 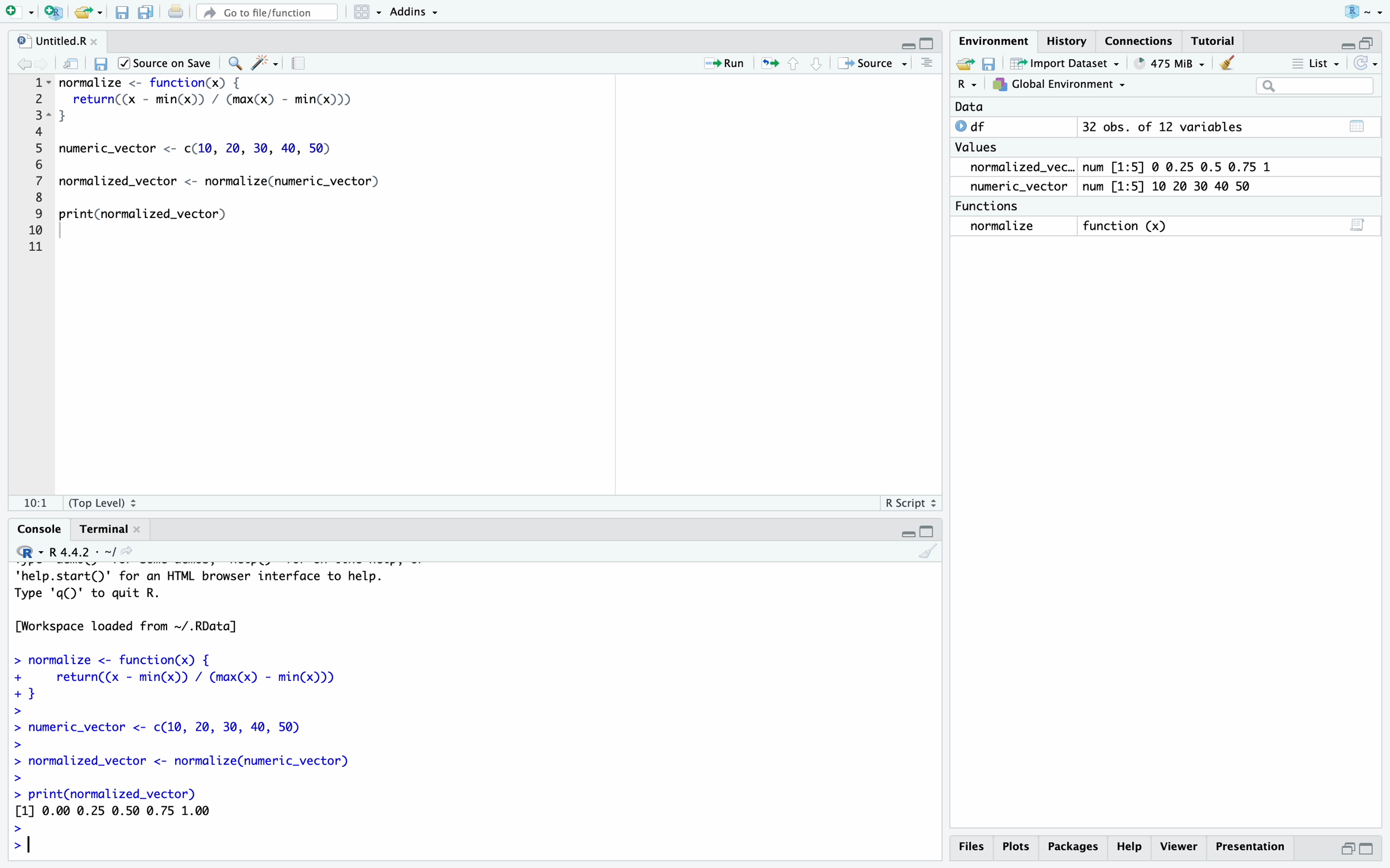 I want to click on Data
O df 32 obs. of 12 variables
Values
normalized_vec.. num [1:5] © 0.25 0.5 0.75 1
numeric_vector num [1:5] 10 20 30 40 50
Functions
normalize function (x), so click(x=1118, y=172).